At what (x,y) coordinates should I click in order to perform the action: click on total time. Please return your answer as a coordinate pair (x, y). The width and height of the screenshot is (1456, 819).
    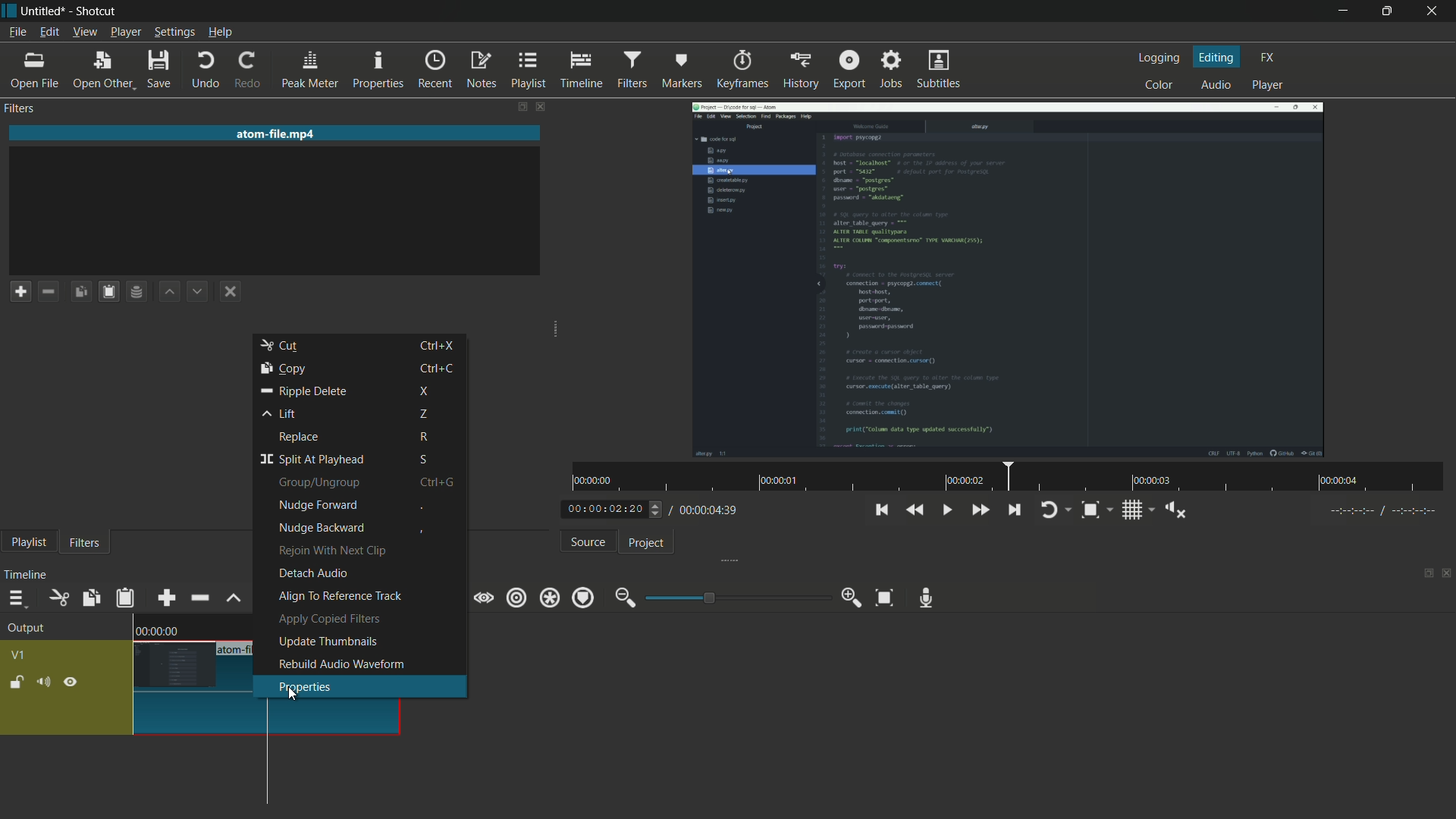
    Looking at the image, I should click on (708, 510).